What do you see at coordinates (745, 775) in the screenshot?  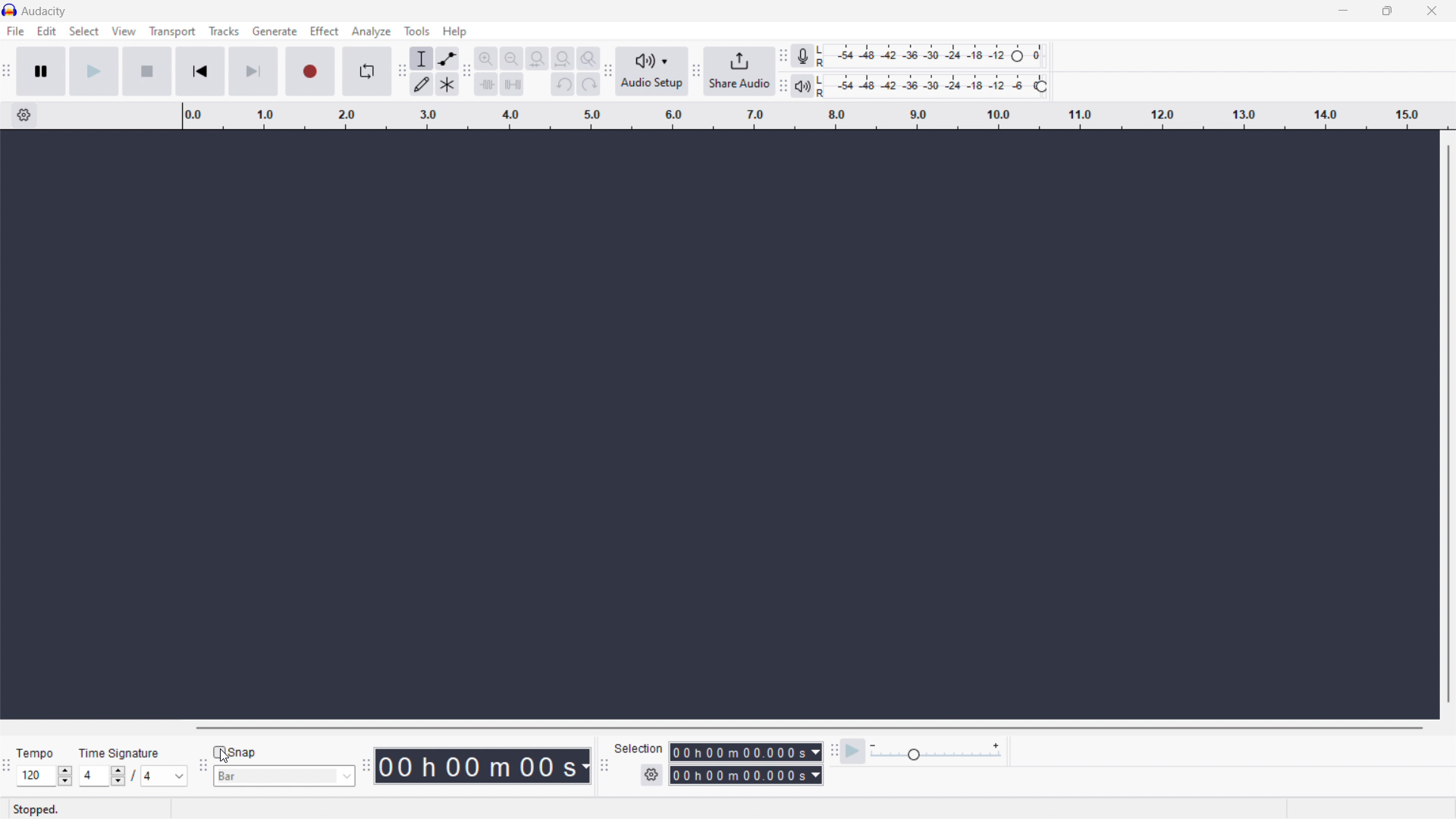 I see `selection end time` at bounding box center [745, 775].